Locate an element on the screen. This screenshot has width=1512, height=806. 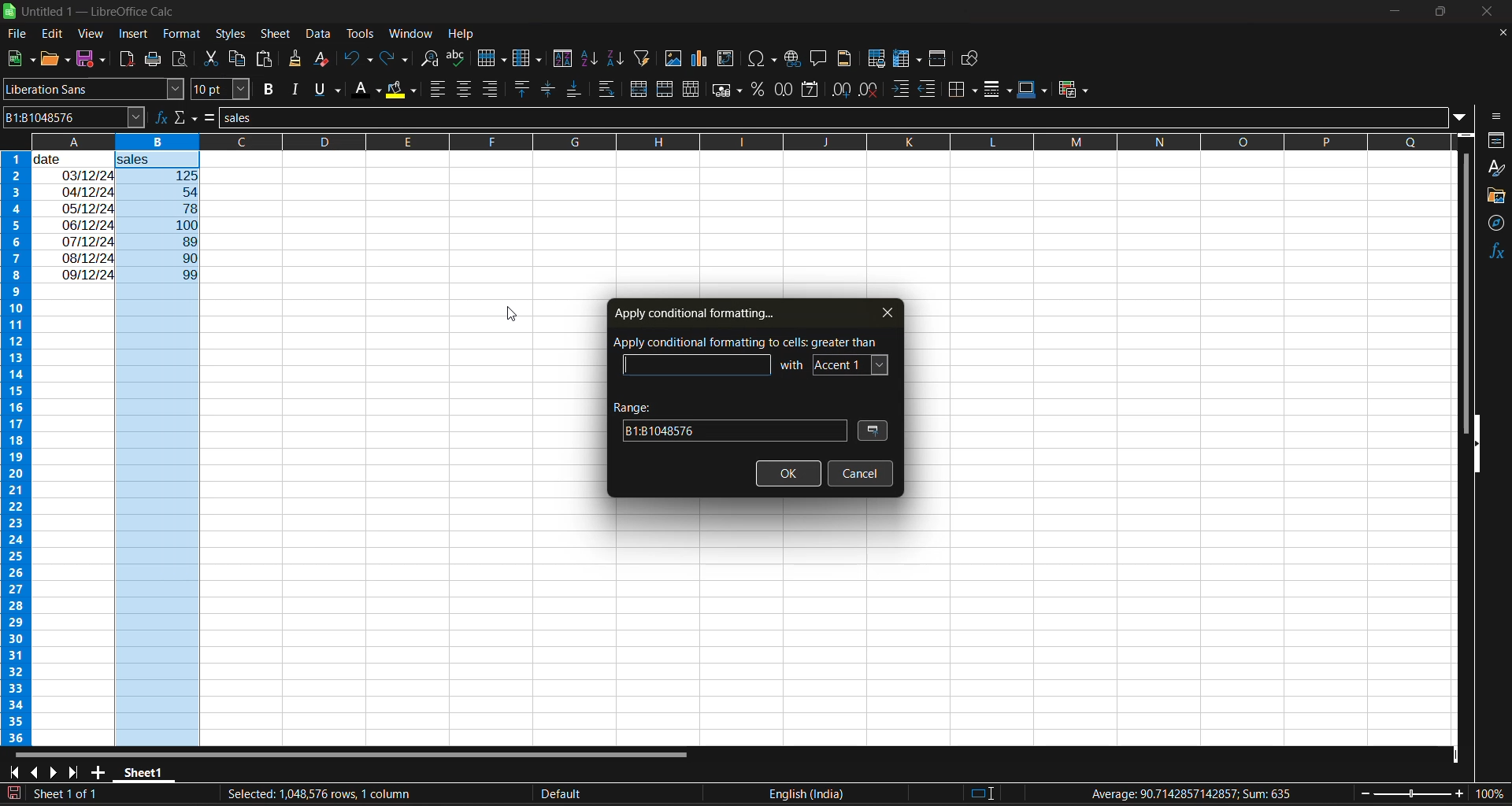
print is located at coordinates (151, 60).